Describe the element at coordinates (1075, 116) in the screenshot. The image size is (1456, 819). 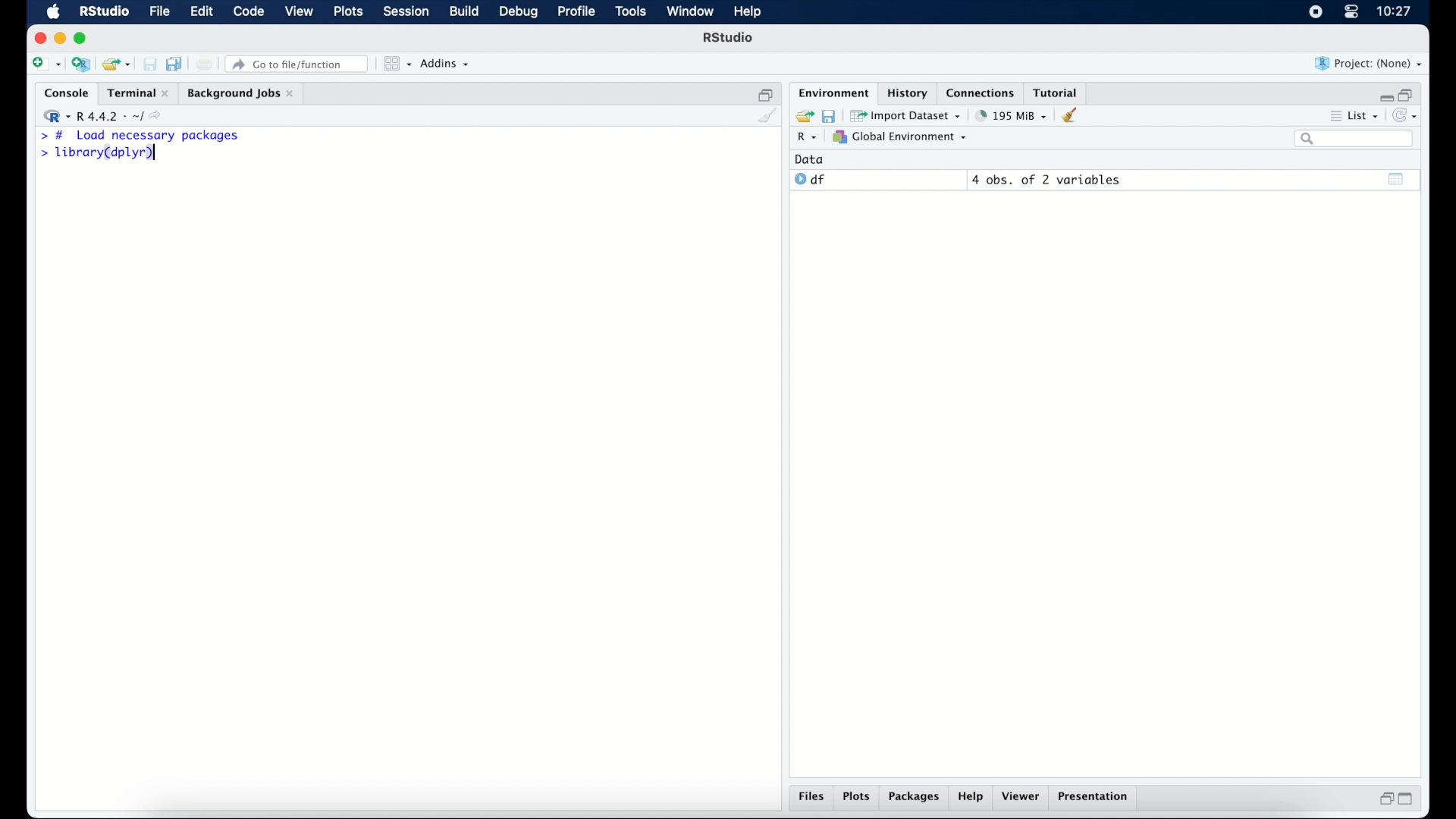
I see `clear workspace` at that location.